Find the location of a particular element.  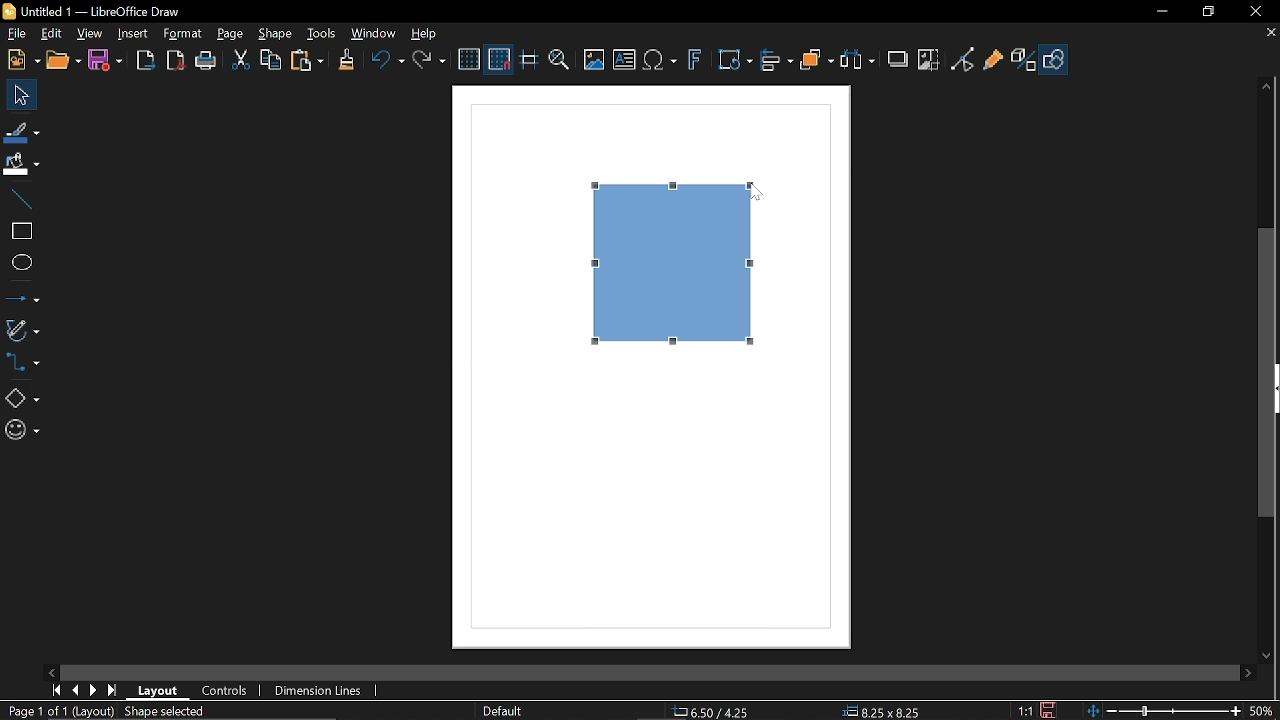

Symbol shapes is located at coordinates (20, 432).